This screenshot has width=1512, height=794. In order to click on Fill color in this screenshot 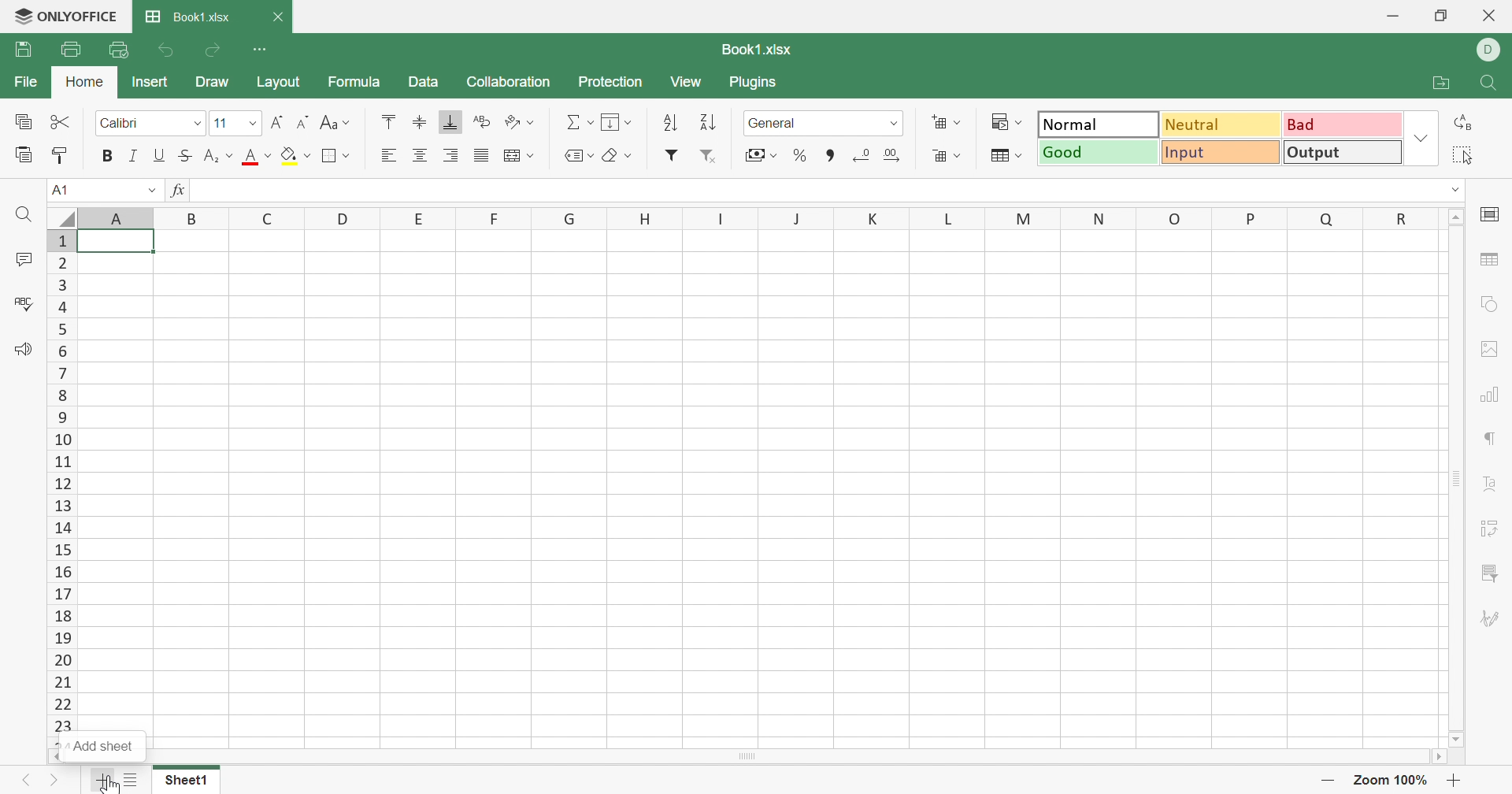, I will do `click(302, 158)`.